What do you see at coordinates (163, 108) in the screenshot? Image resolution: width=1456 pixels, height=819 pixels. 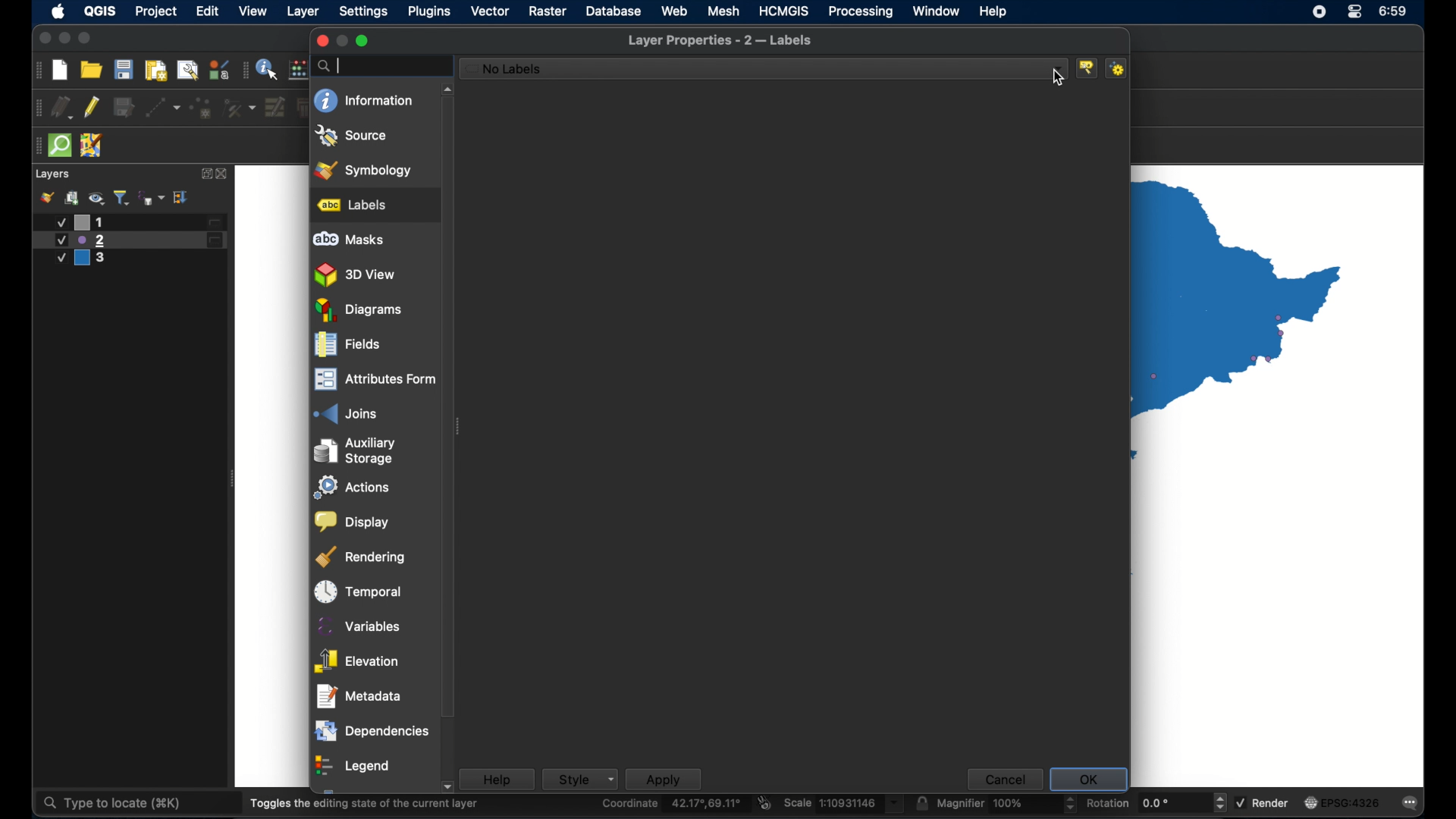 I see `digitize  with segment` at bounding box center [163, 108].